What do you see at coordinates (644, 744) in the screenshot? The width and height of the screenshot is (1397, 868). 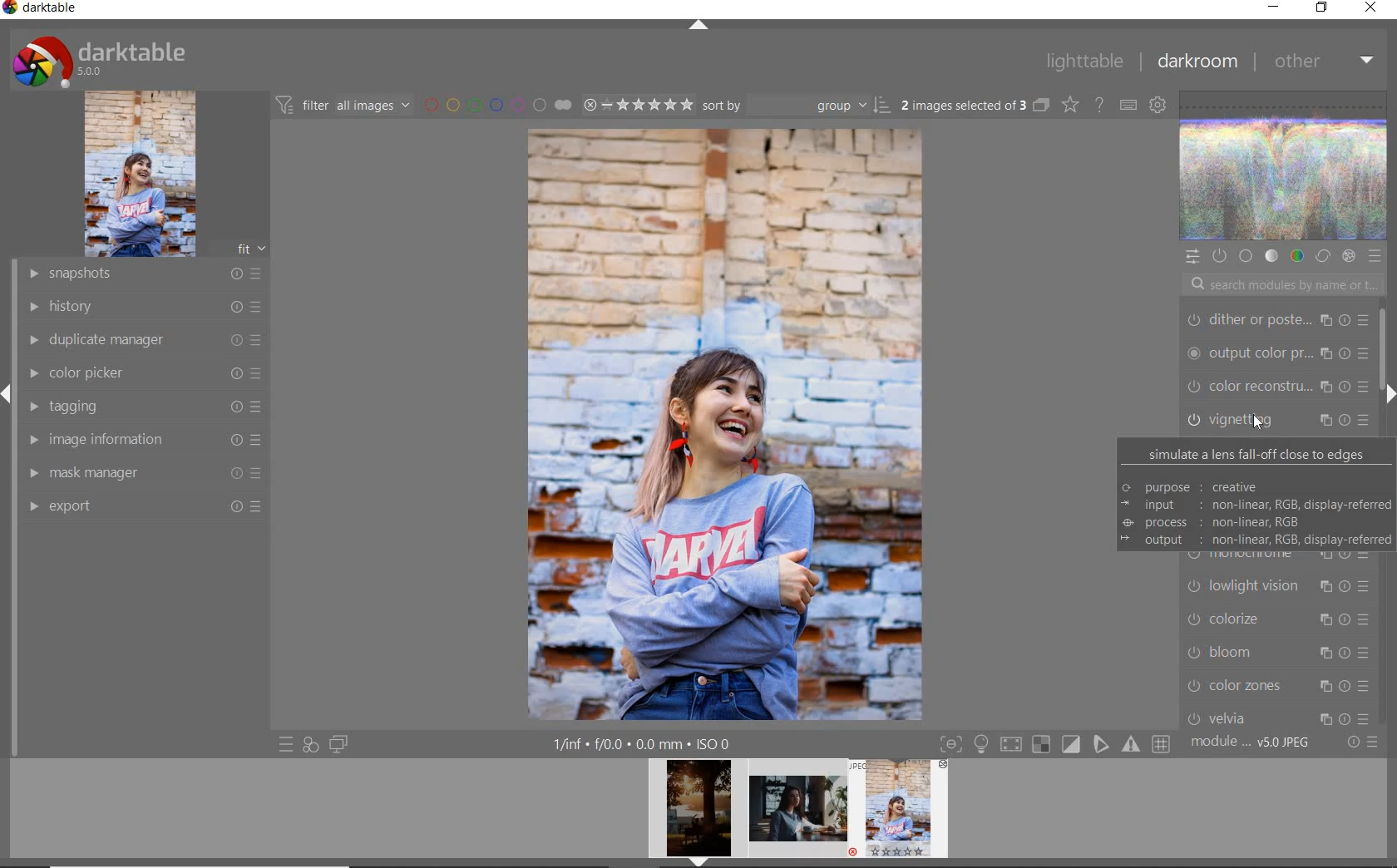 I see `other interface detal` at bounding box center [644, 744].